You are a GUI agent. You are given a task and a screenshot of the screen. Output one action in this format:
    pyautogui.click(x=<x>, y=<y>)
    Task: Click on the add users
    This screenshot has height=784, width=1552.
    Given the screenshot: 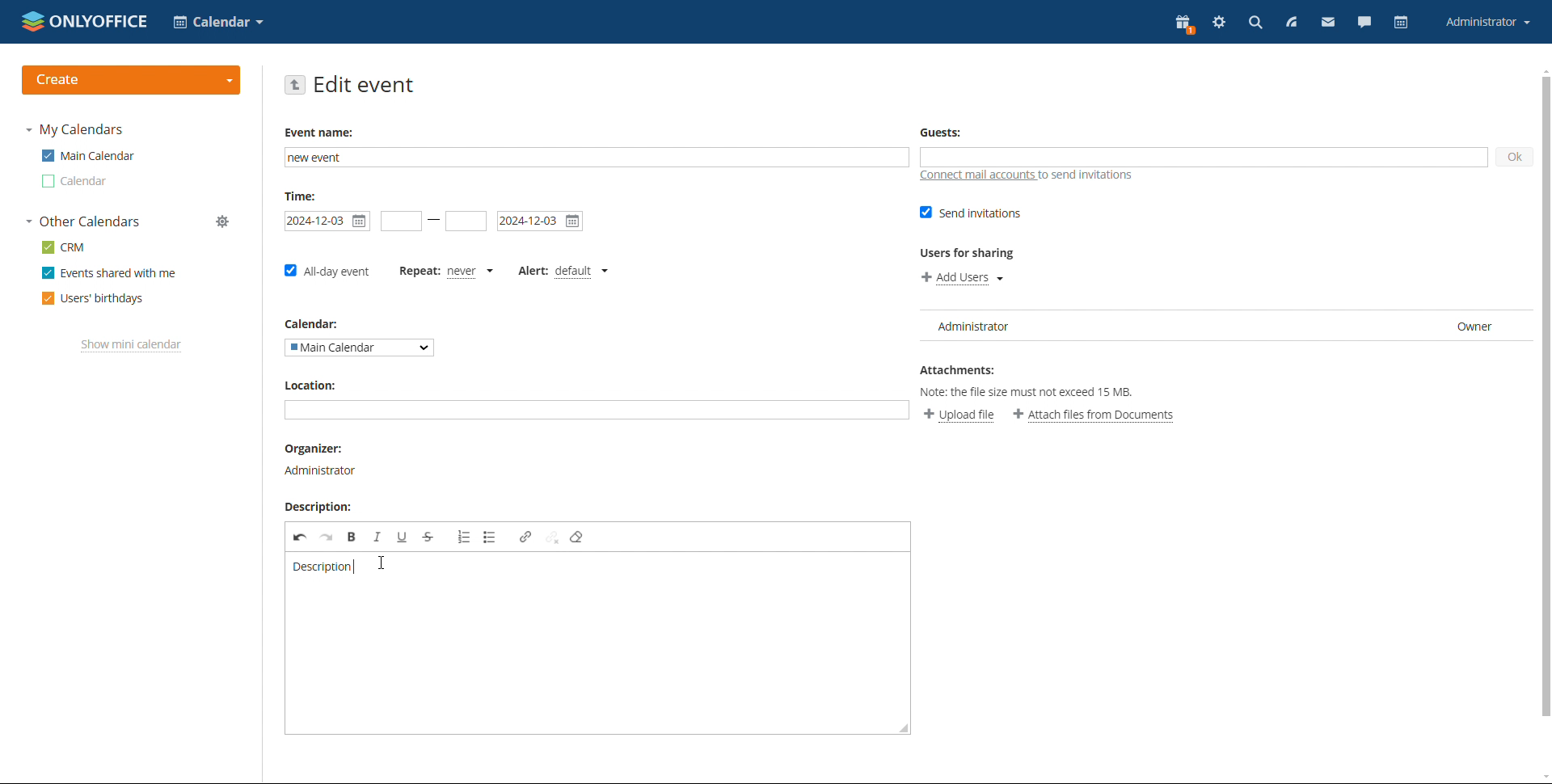 What is the action you would take?
    pyautogui.click(x=961, y=278)
    